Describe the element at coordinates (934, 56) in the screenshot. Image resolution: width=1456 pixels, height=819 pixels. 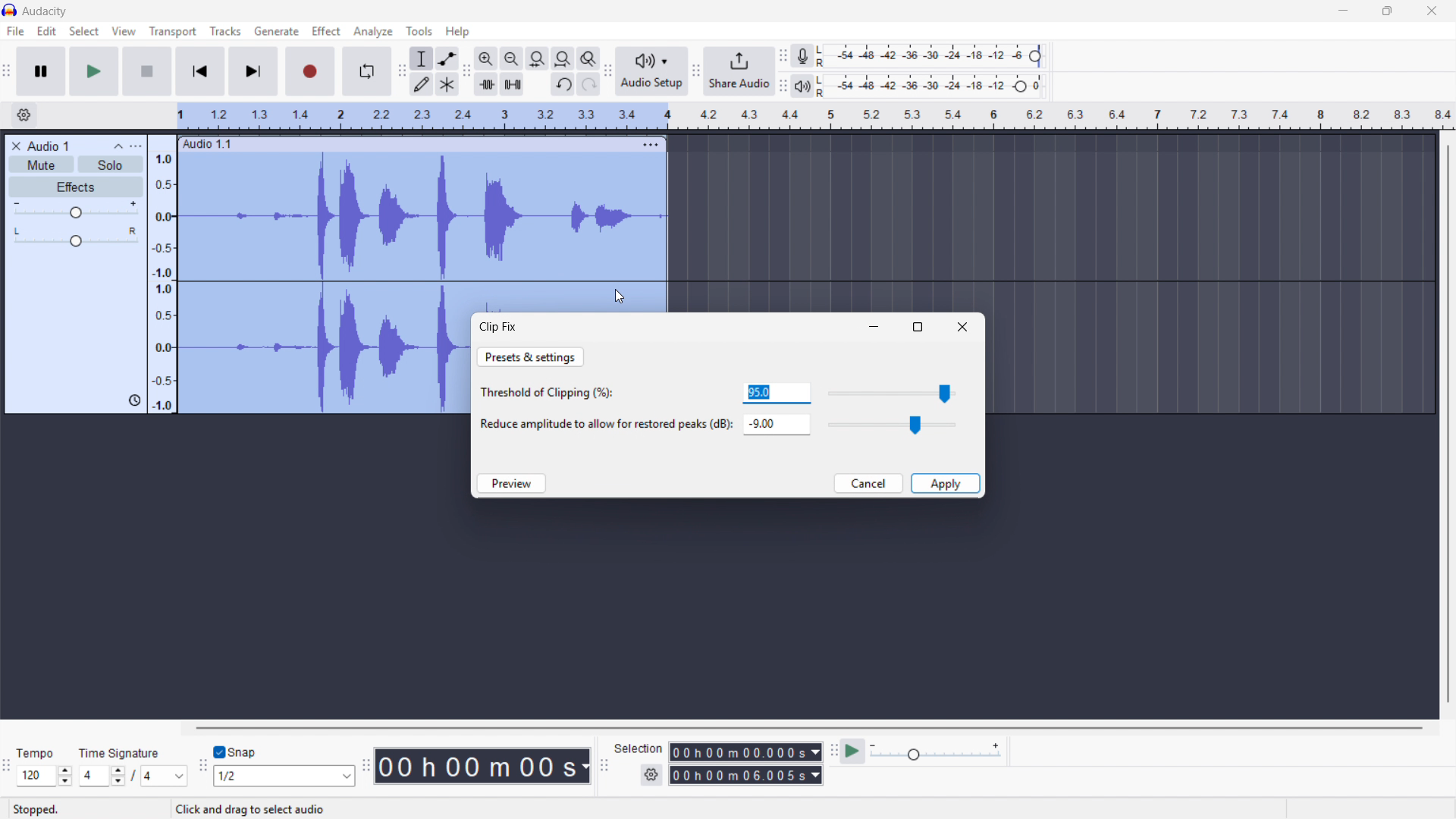
I see `Recording level` at that location.